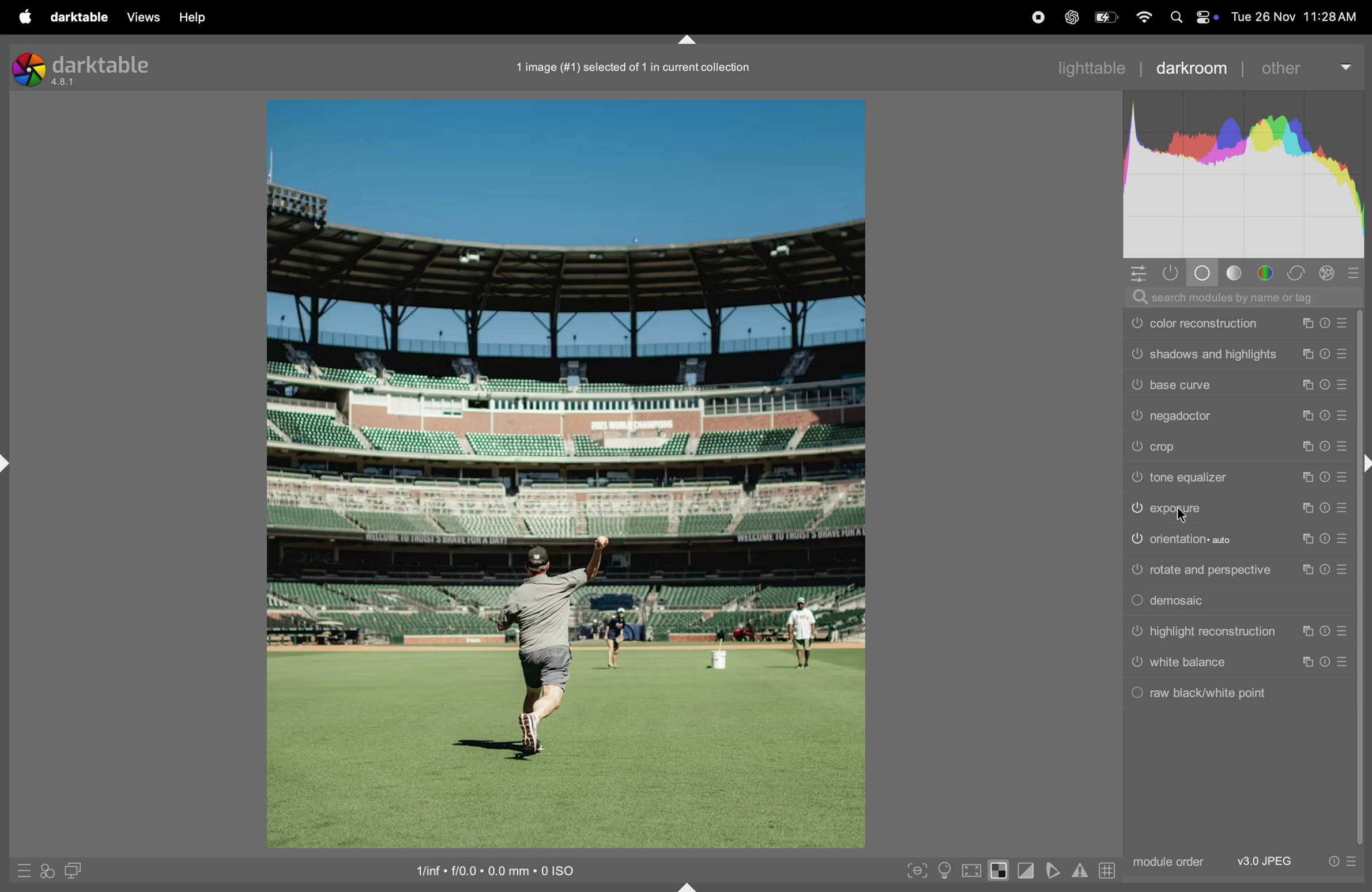 The image size is (1372, 892). I want to click on raw balck and white point, so click(1250, 693).